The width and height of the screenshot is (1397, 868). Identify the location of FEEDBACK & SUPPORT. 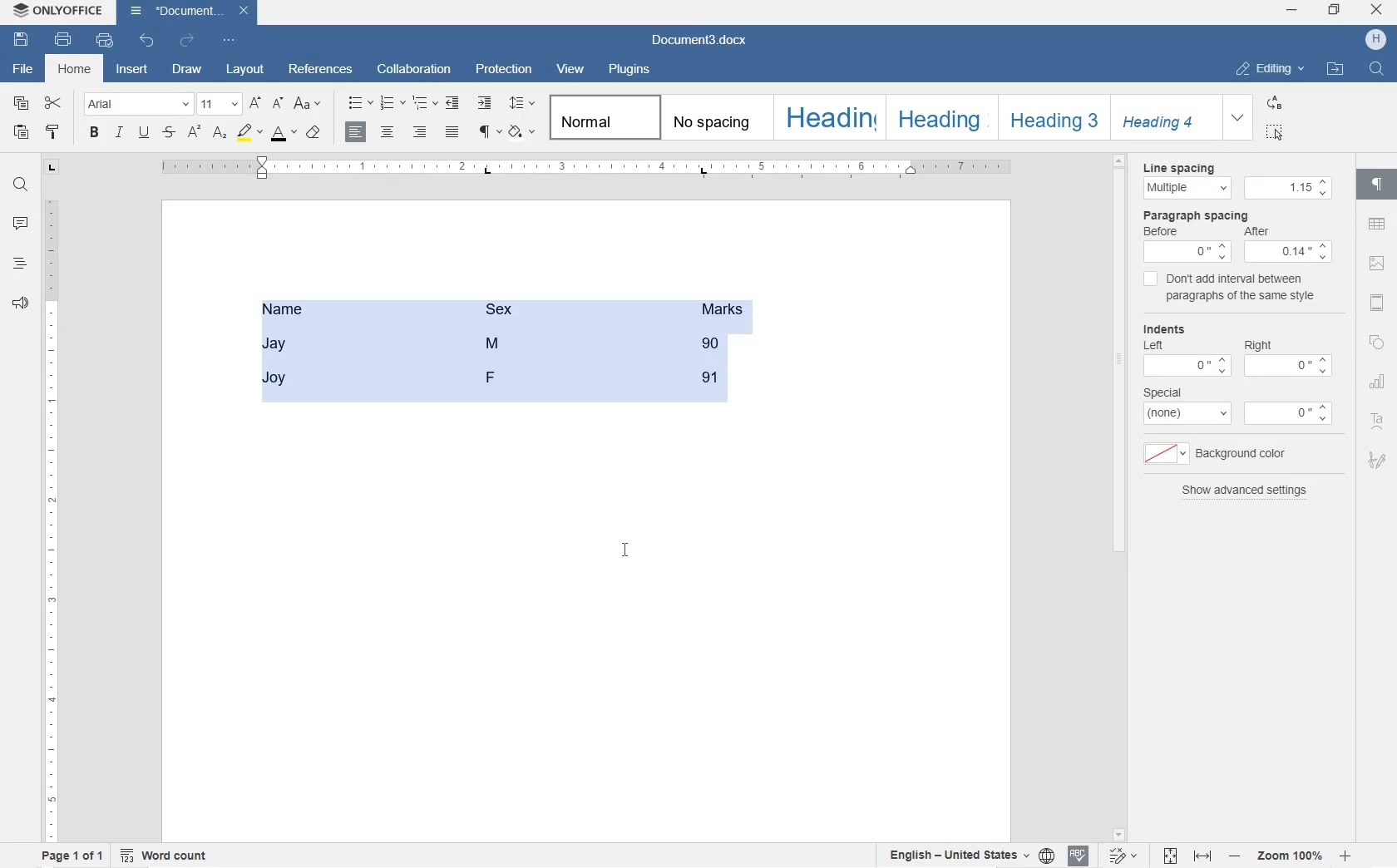
(18, 300).